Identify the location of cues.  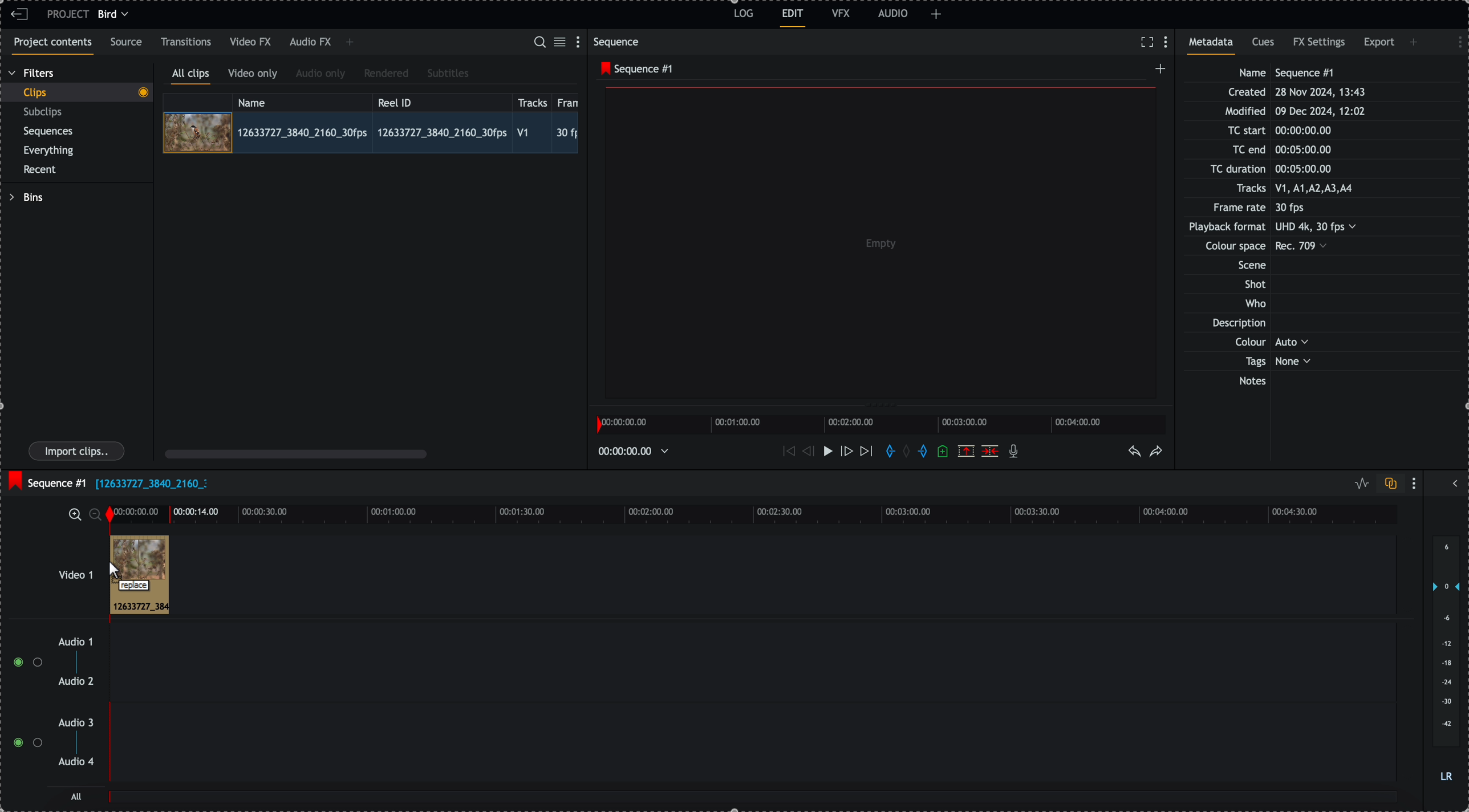
(1264, 46).